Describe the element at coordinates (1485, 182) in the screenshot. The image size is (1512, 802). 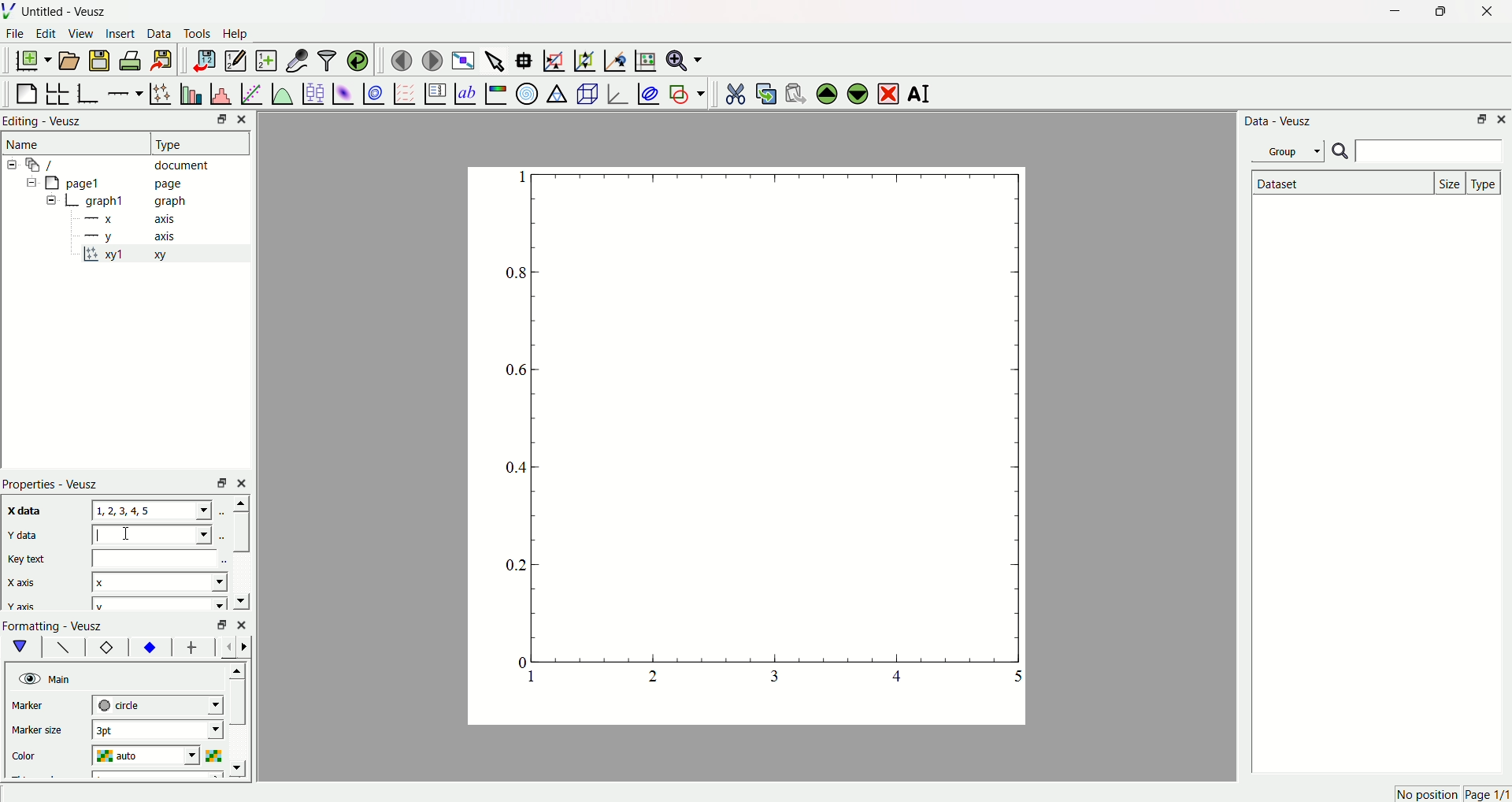
I see `Type` at that location.